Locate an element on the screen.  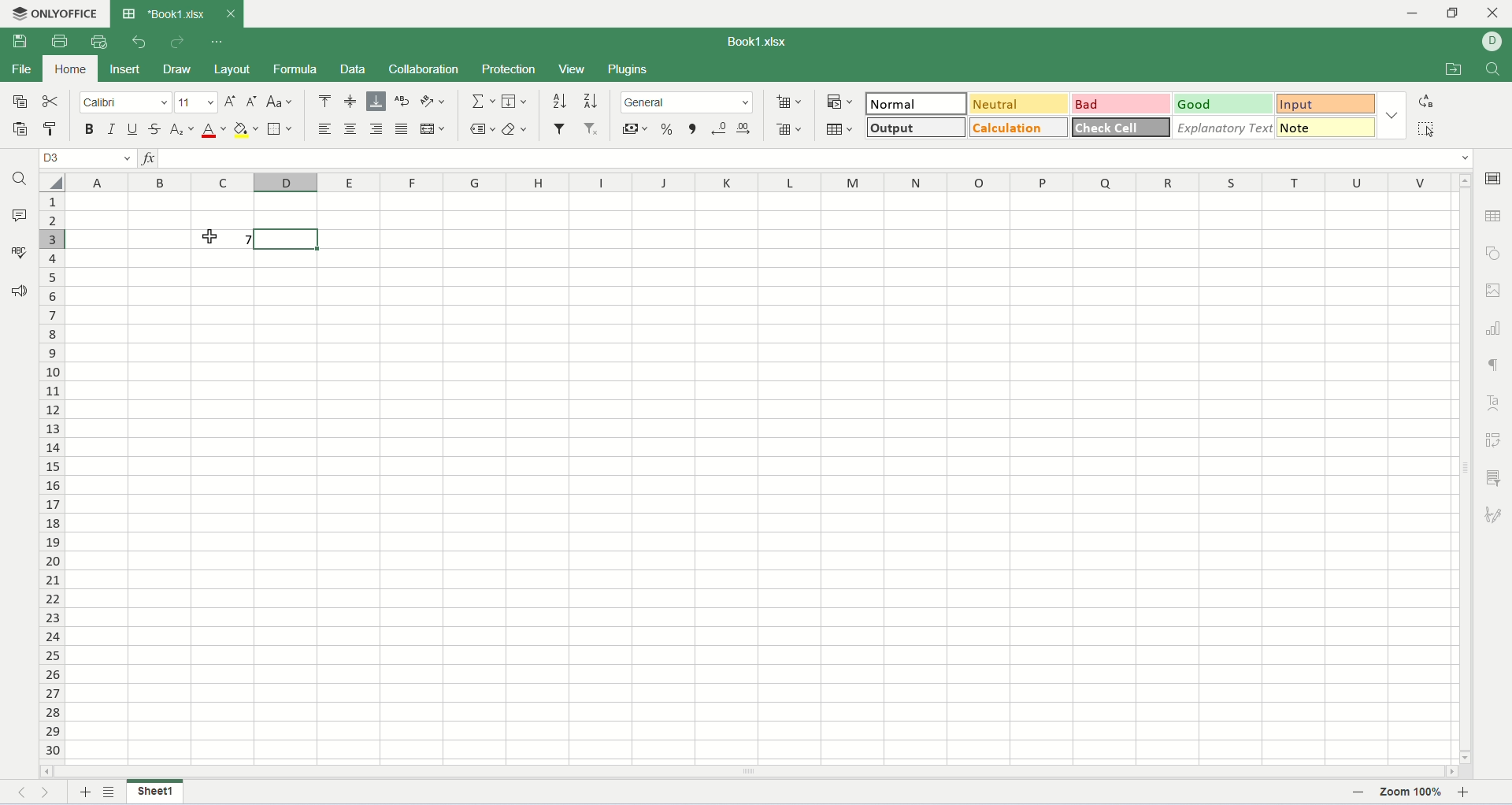
note is located at coordinates (1327, 128).